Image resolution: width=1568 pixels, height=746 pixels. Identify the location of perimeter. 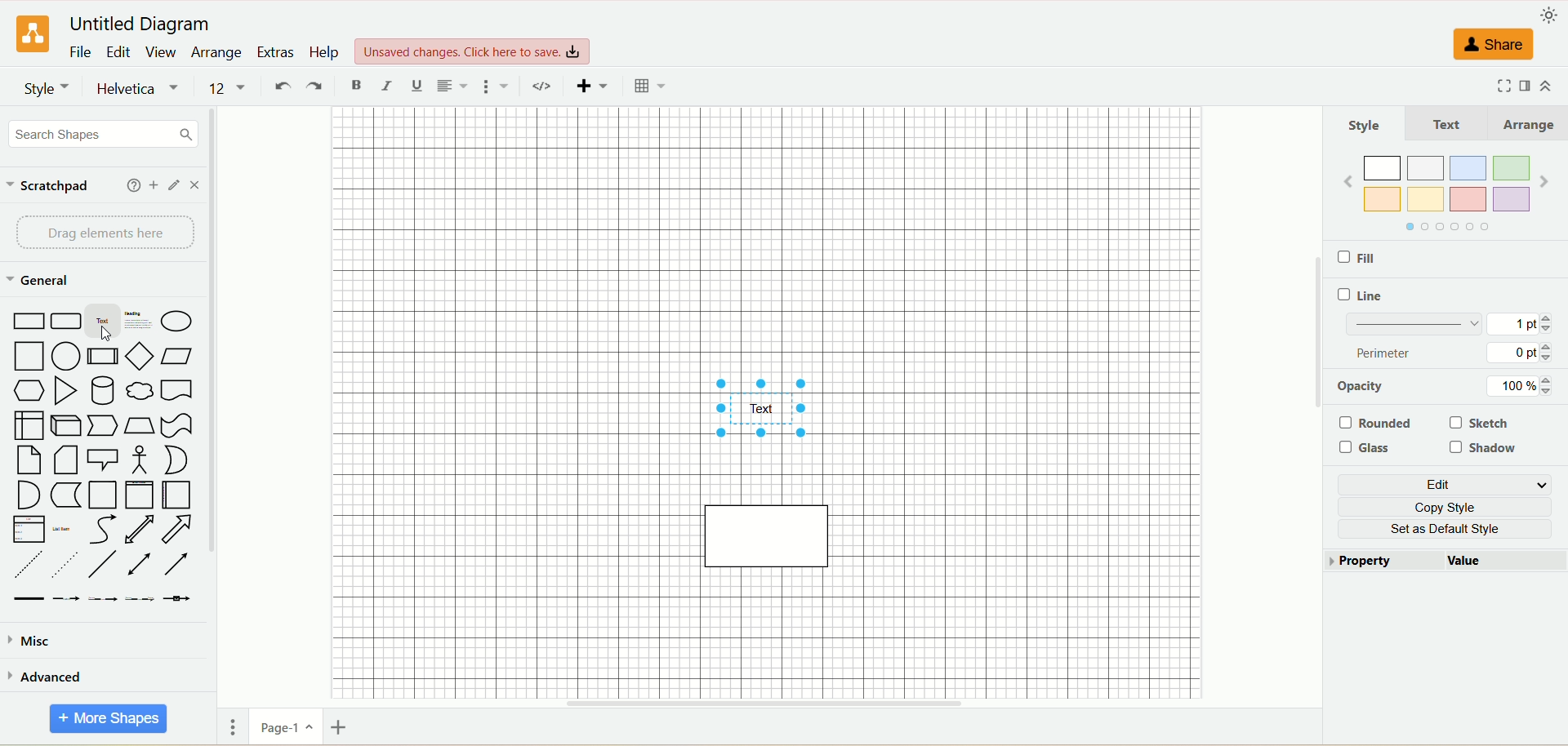
(1446, 353).